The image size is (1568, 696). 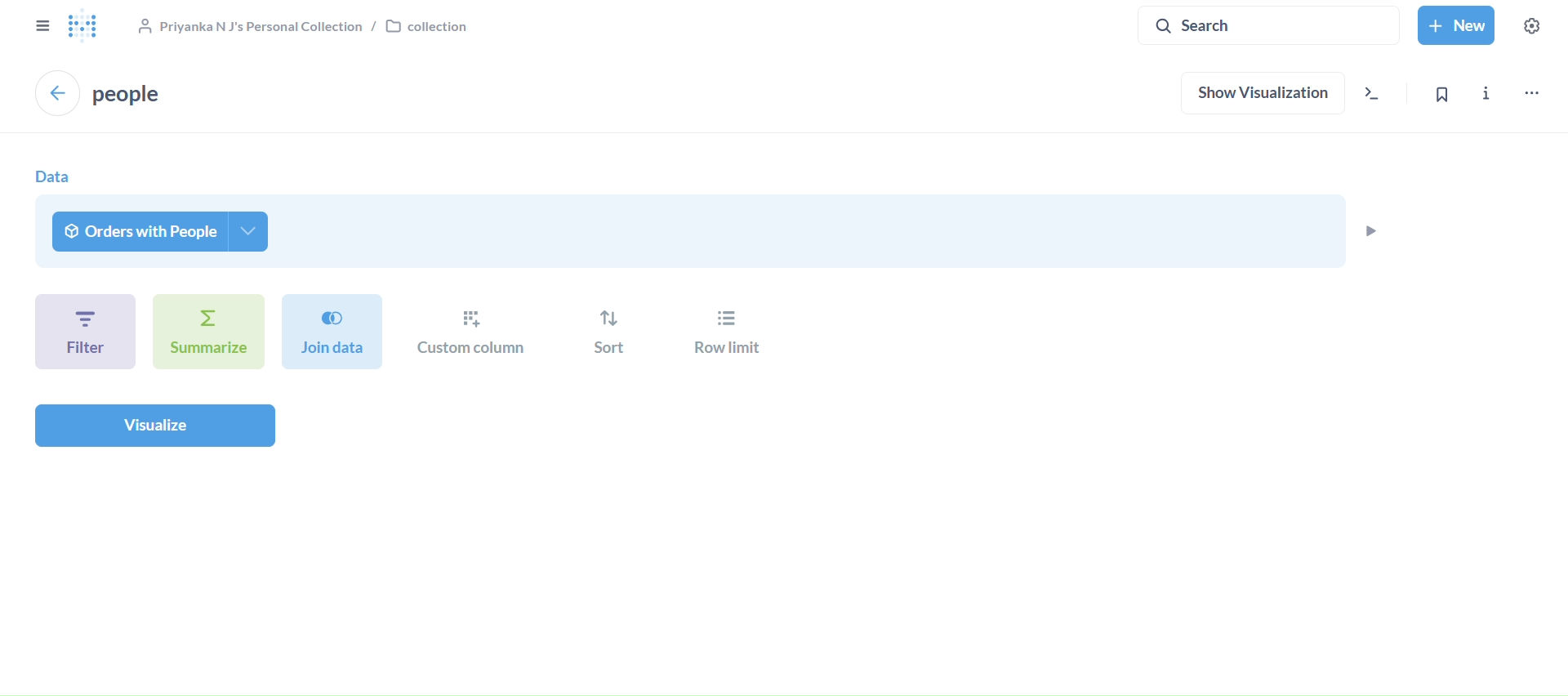 What do you see at coordinates (208, 332) in the screenshot?
I see `summarize` at bounding box center [208, 332].